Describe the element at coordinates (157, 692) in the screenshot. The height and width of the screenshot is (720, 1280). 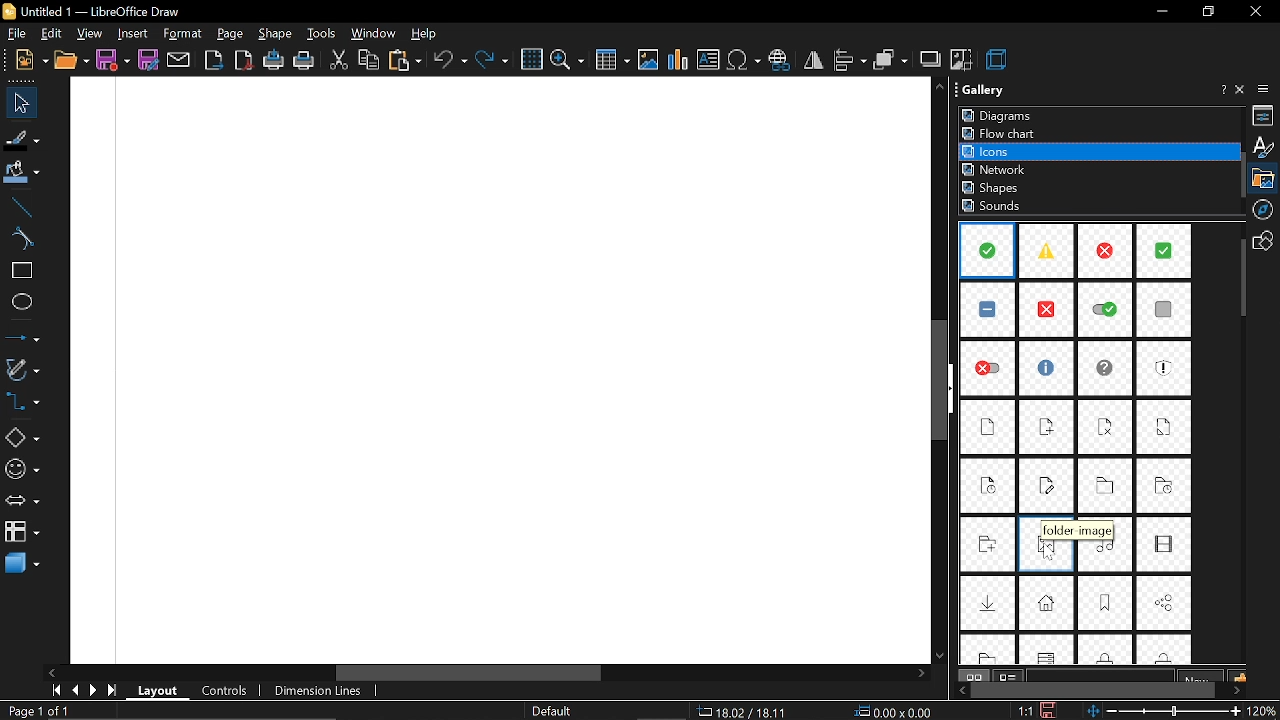
I see `layout` at that location.